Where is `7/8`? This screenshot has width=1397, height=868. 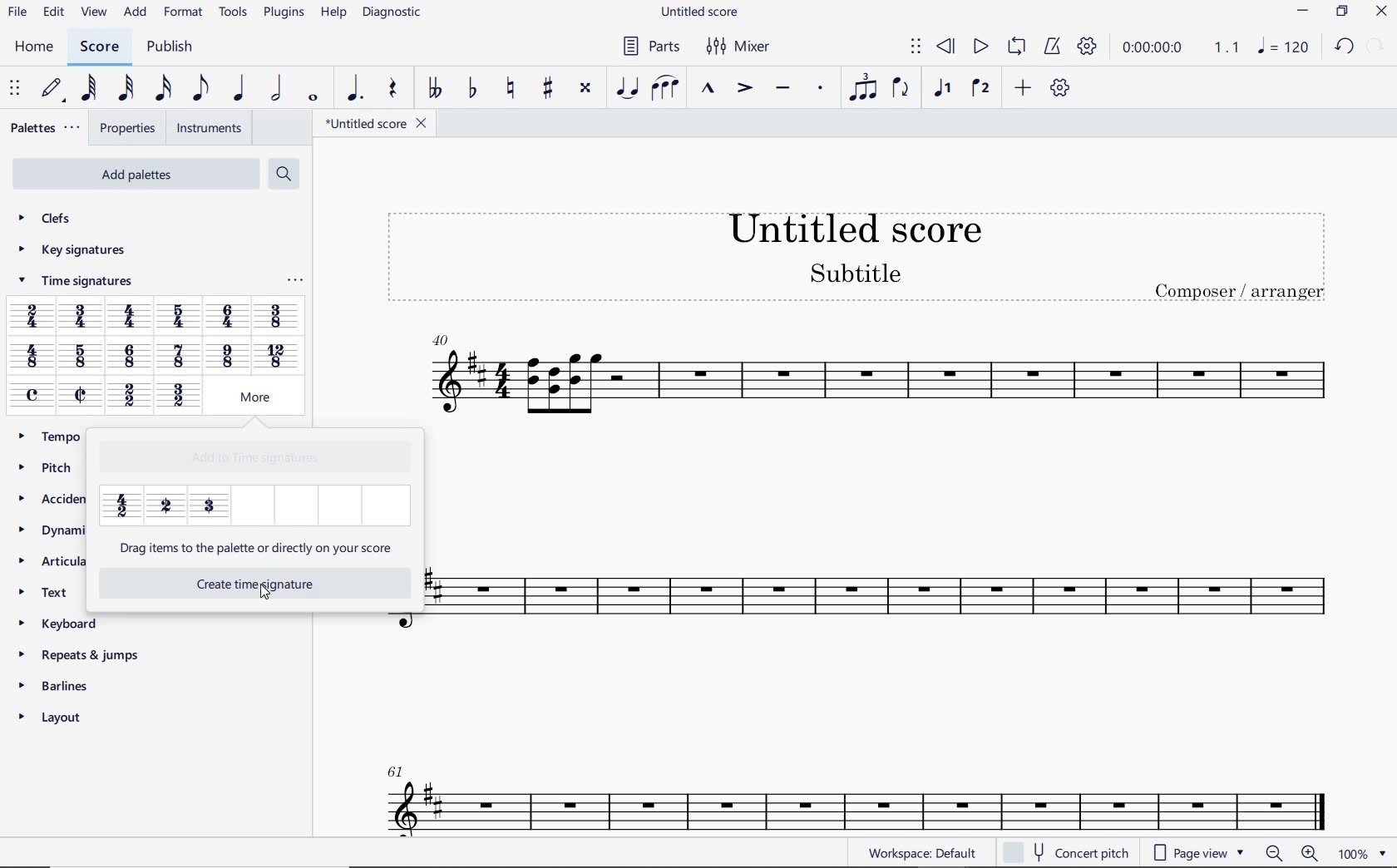 7/8 is located at coordinates (179, 358).